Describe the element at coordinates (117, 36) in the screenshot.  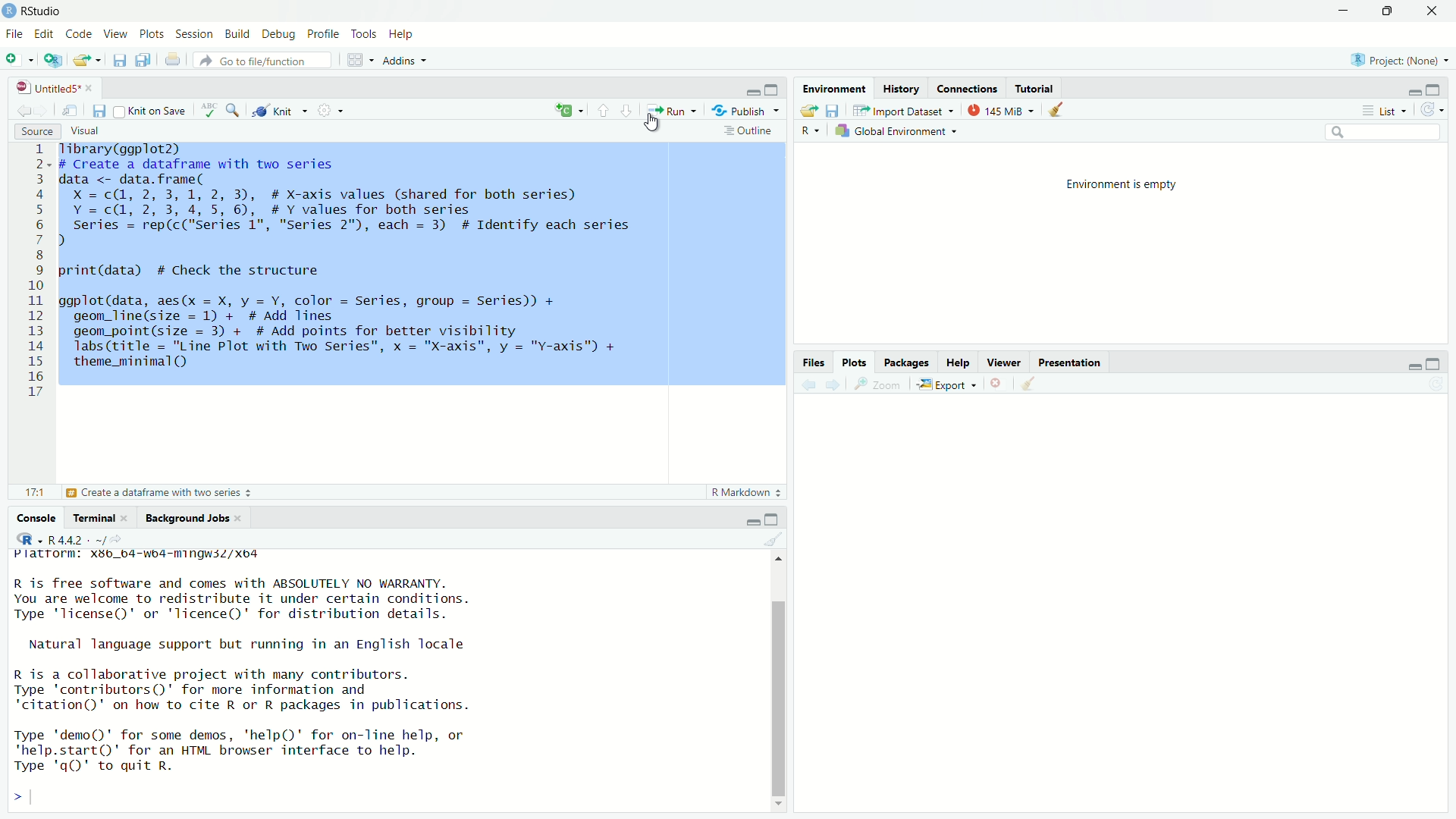
I see `View` at that location.